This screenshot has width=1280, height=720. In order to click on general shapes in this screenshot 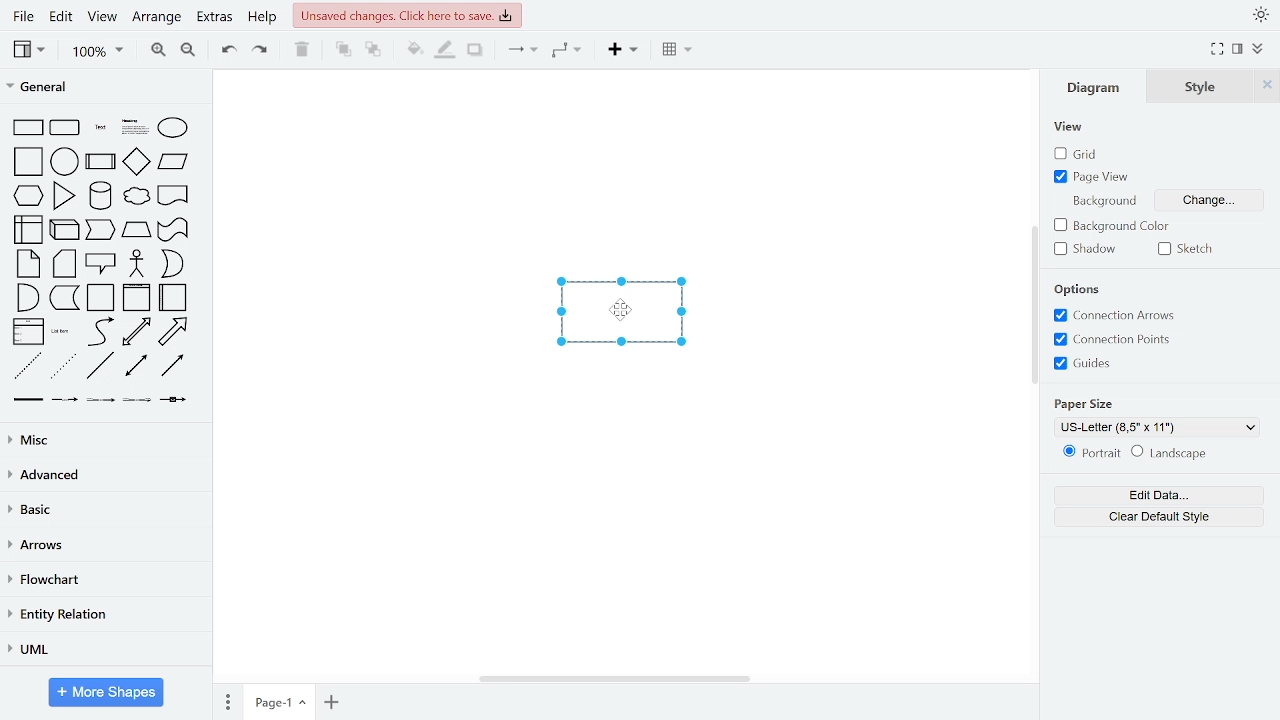, I will do `click(99, 230)`.